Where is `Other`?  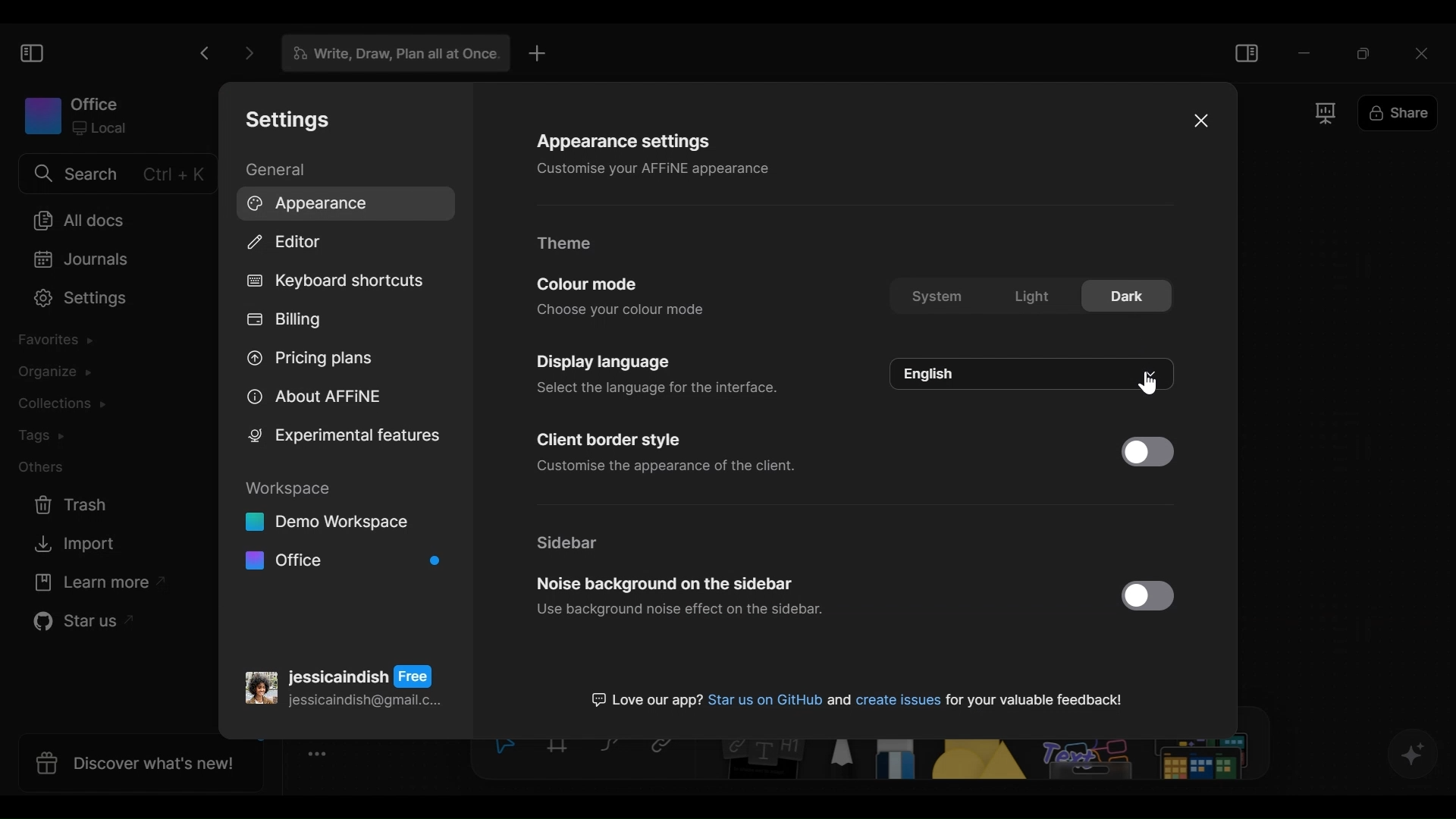 Other is located at coordinates (43, 468).